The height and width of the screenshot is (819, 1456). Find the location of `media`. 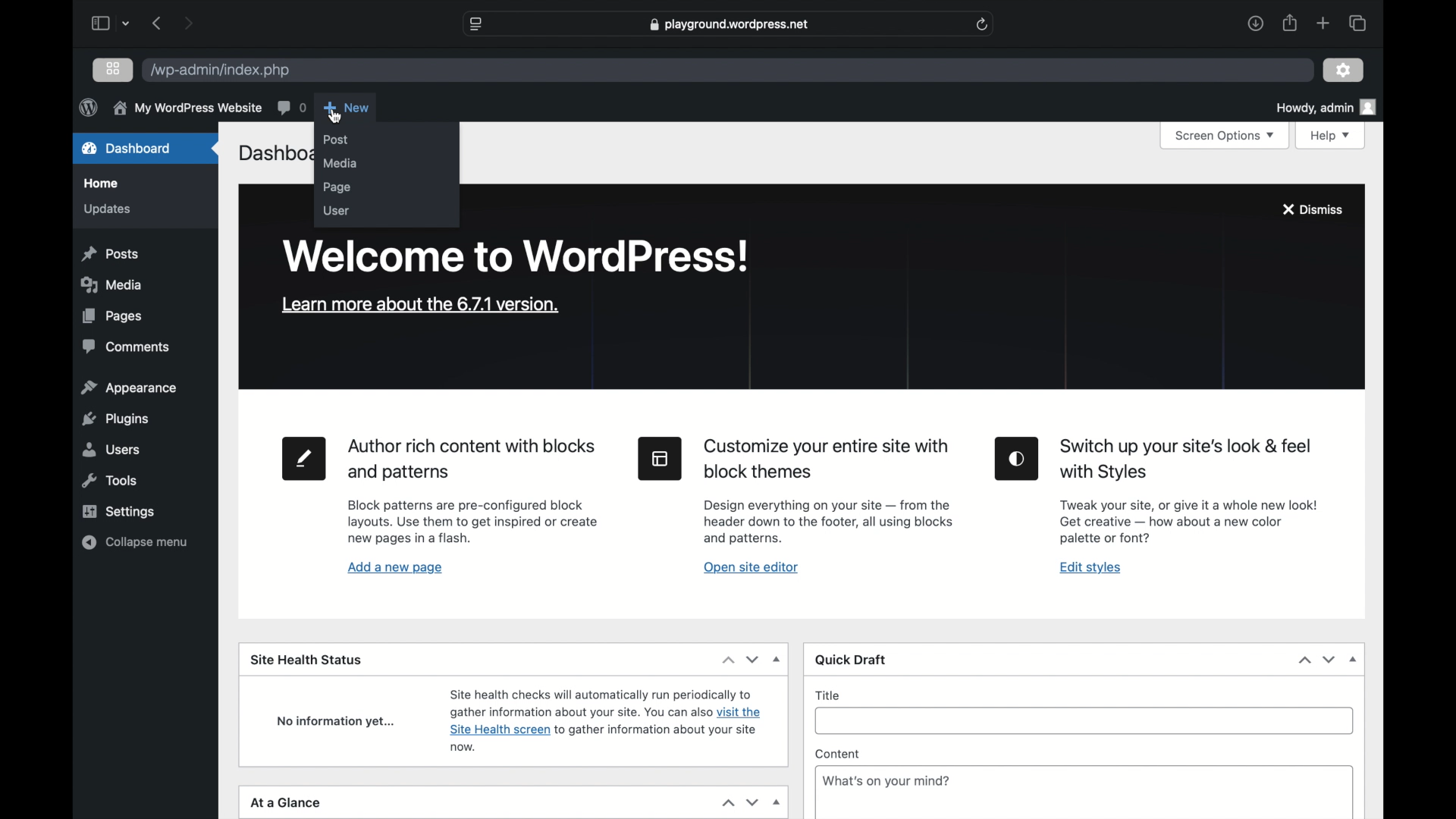

media is located at coordinates (340, 163).